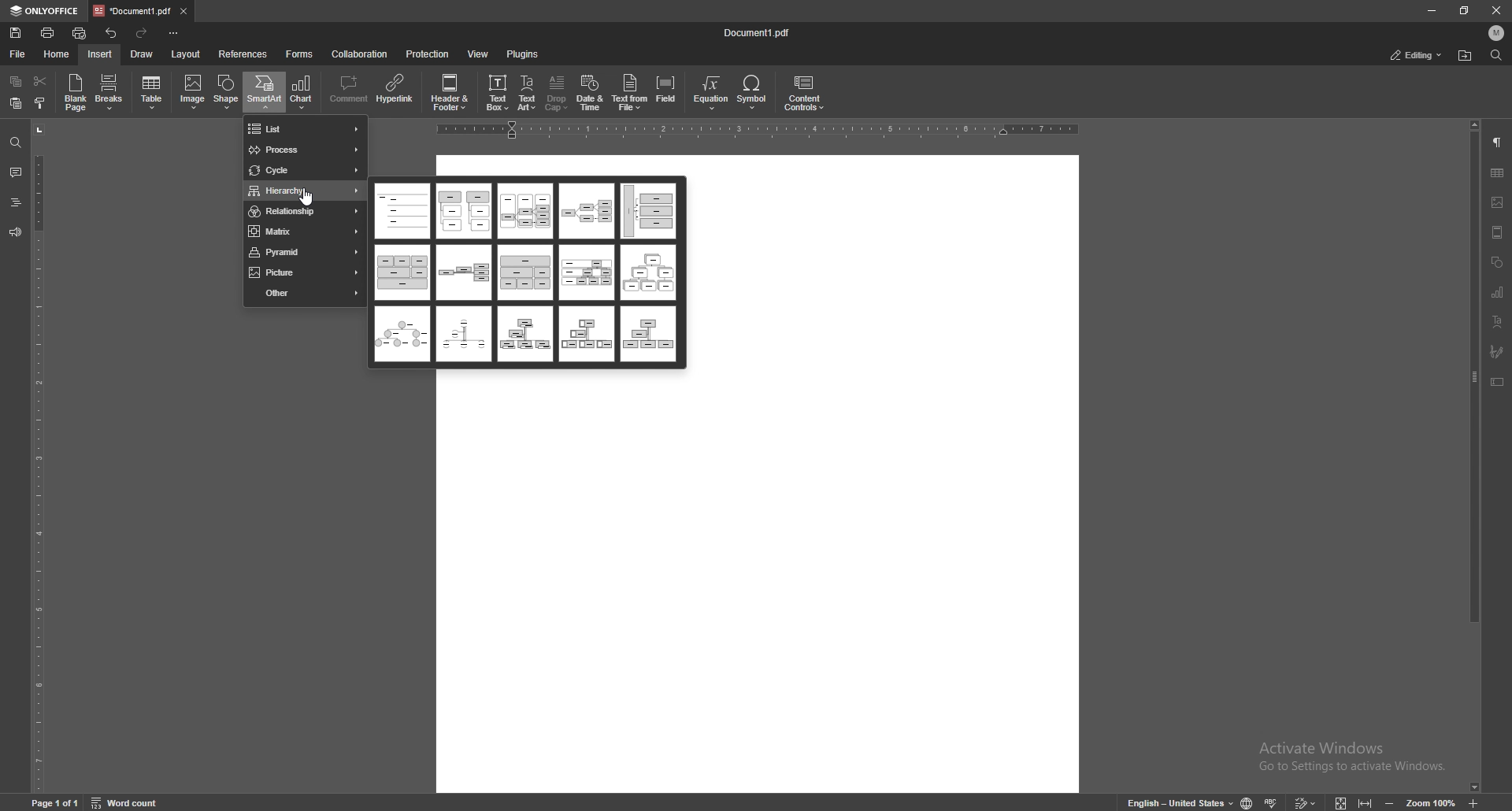  Describe the element at coordinates (1498, 261) in the screenshot. I see `shapes` at that location.